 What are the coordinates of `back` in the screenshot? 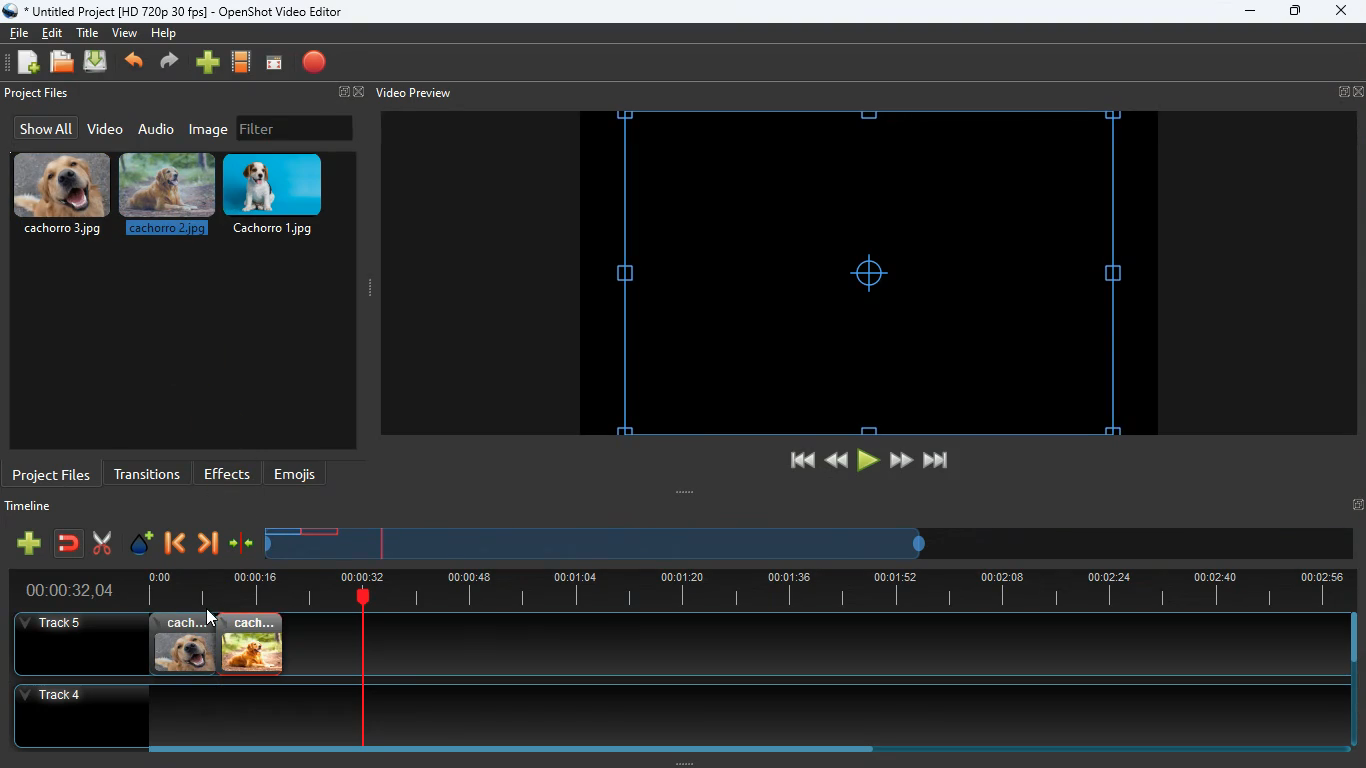 It's located at (136, 63).